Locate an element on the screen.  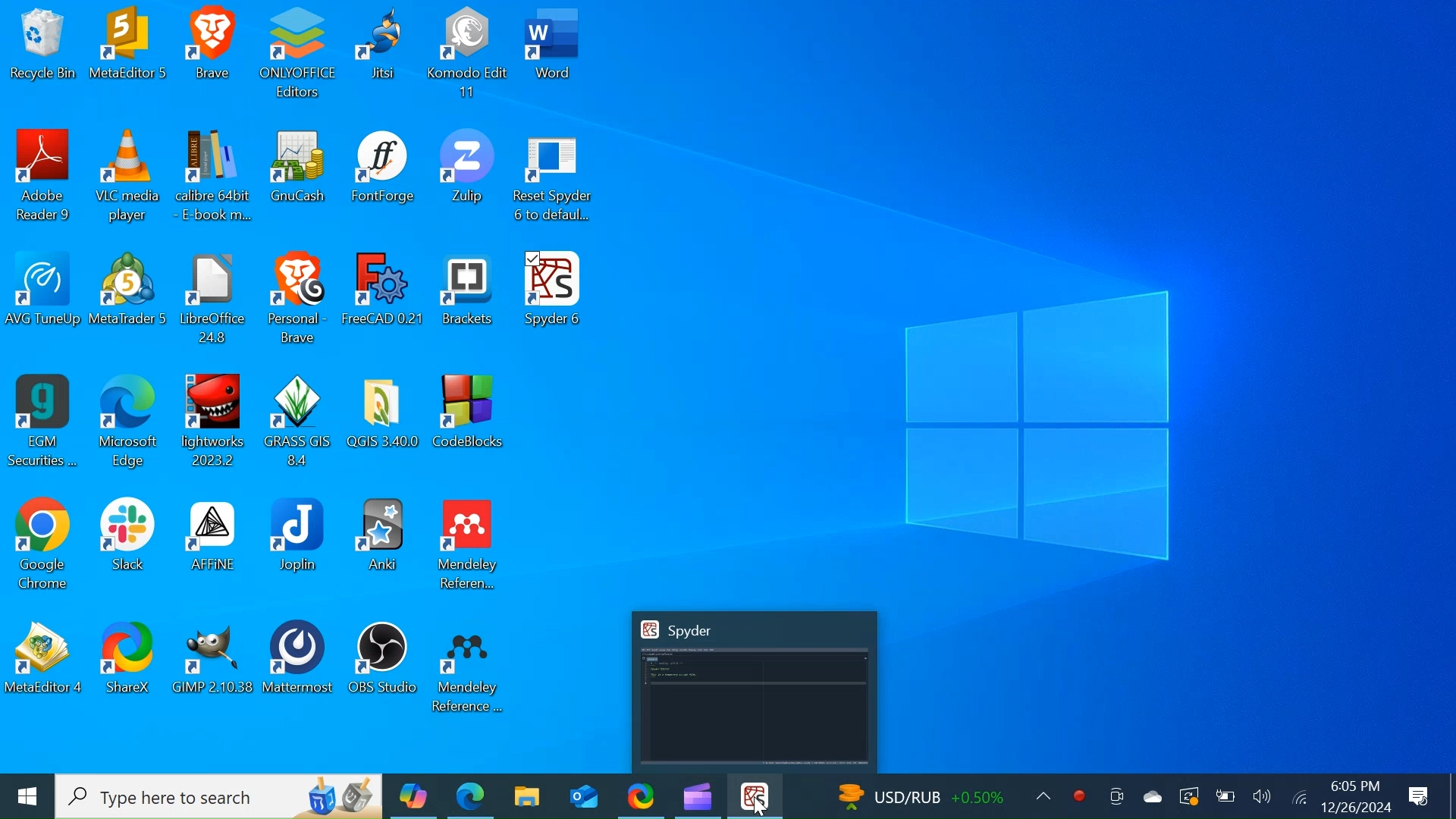
Spyder Preview Window is located at coordinates (754, 691).